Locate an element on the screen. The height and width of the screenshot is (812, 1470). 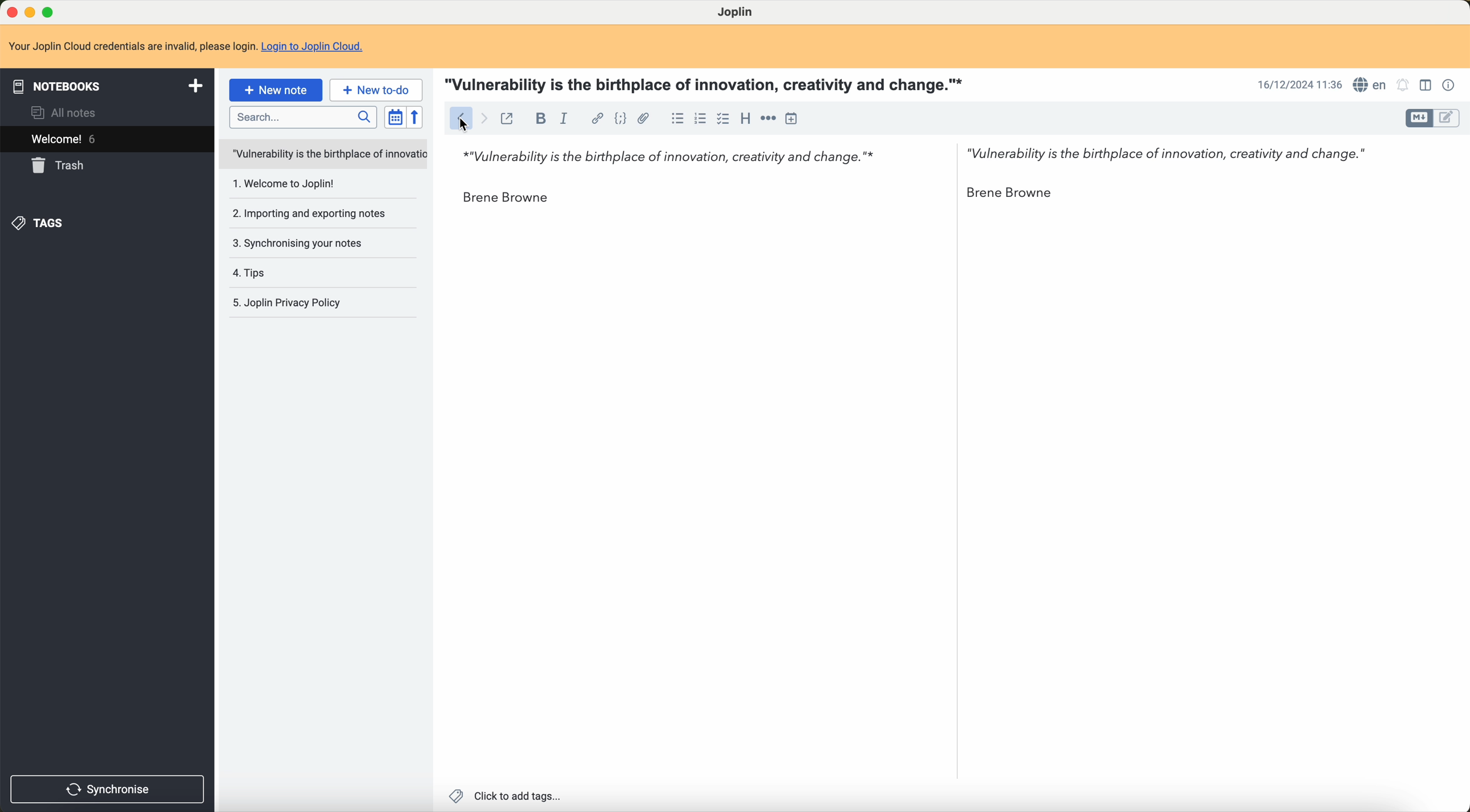
bulleted list is located at coordinates (675, 119).